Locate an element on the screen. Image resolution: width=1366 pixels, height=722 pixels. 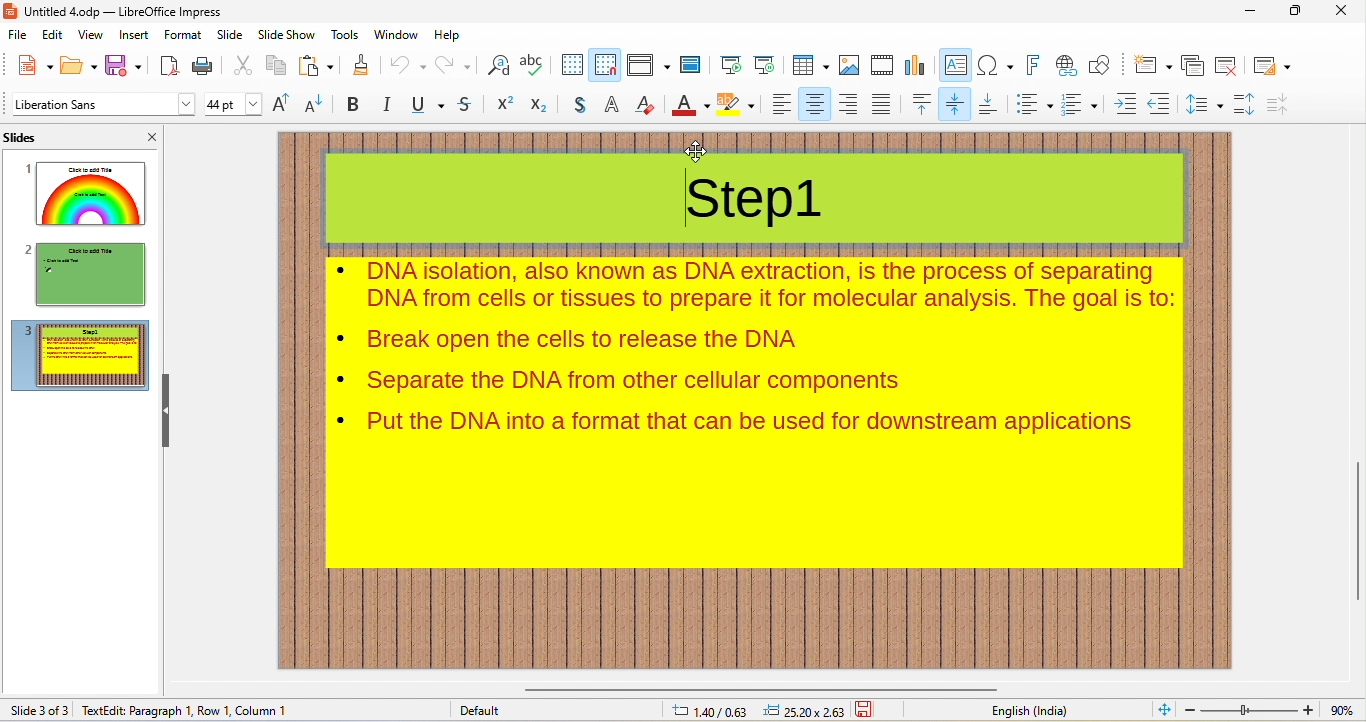
font size is located at coordinates (233, 104).